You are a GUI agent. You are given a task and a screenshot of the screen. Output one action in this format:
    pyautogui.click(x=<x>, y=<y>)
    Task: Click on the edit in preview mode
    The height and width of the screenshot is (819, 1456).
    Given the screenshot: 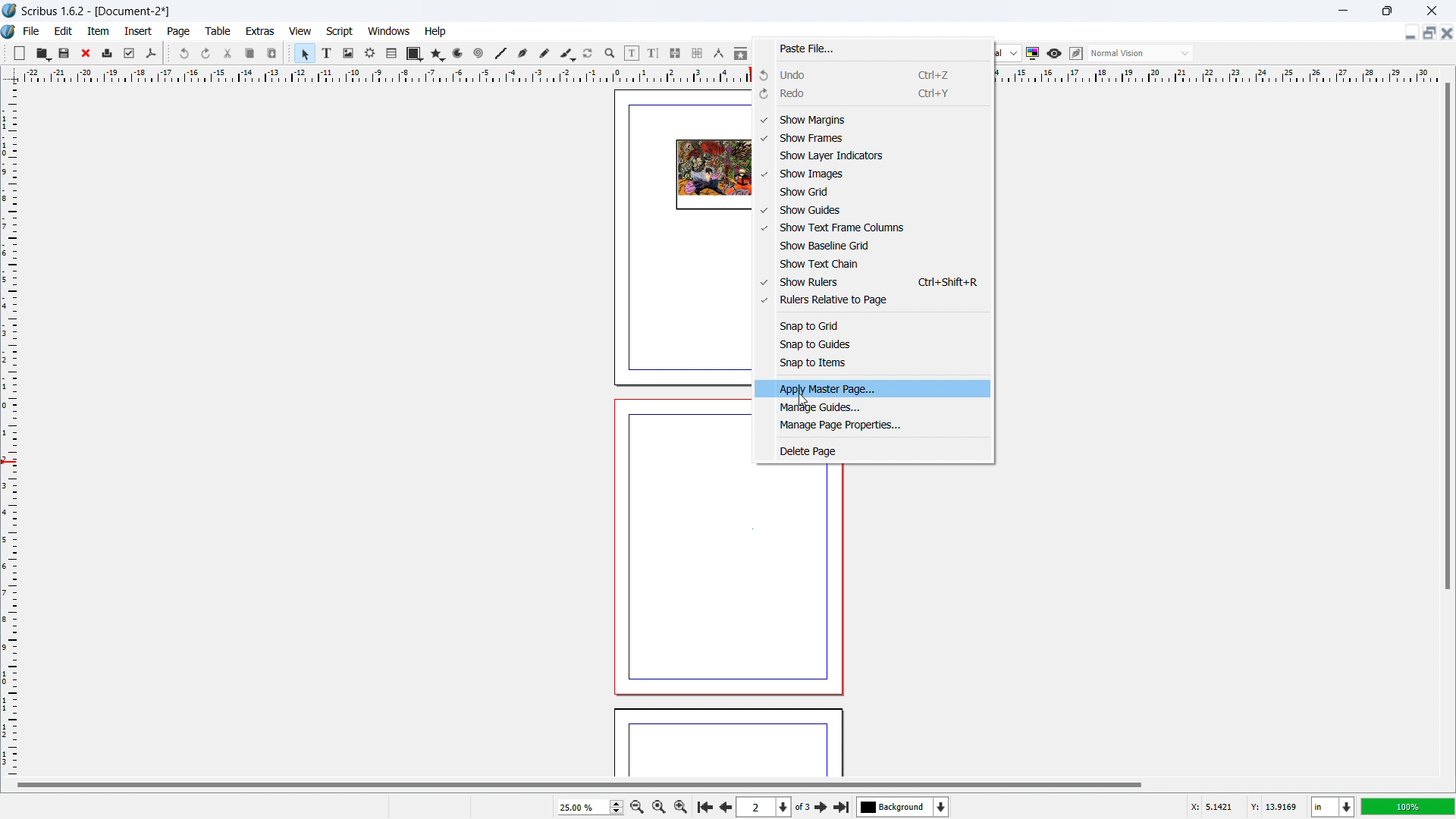 What is the action you would take?
    pyautogui.click(x=1075, y=54)
    